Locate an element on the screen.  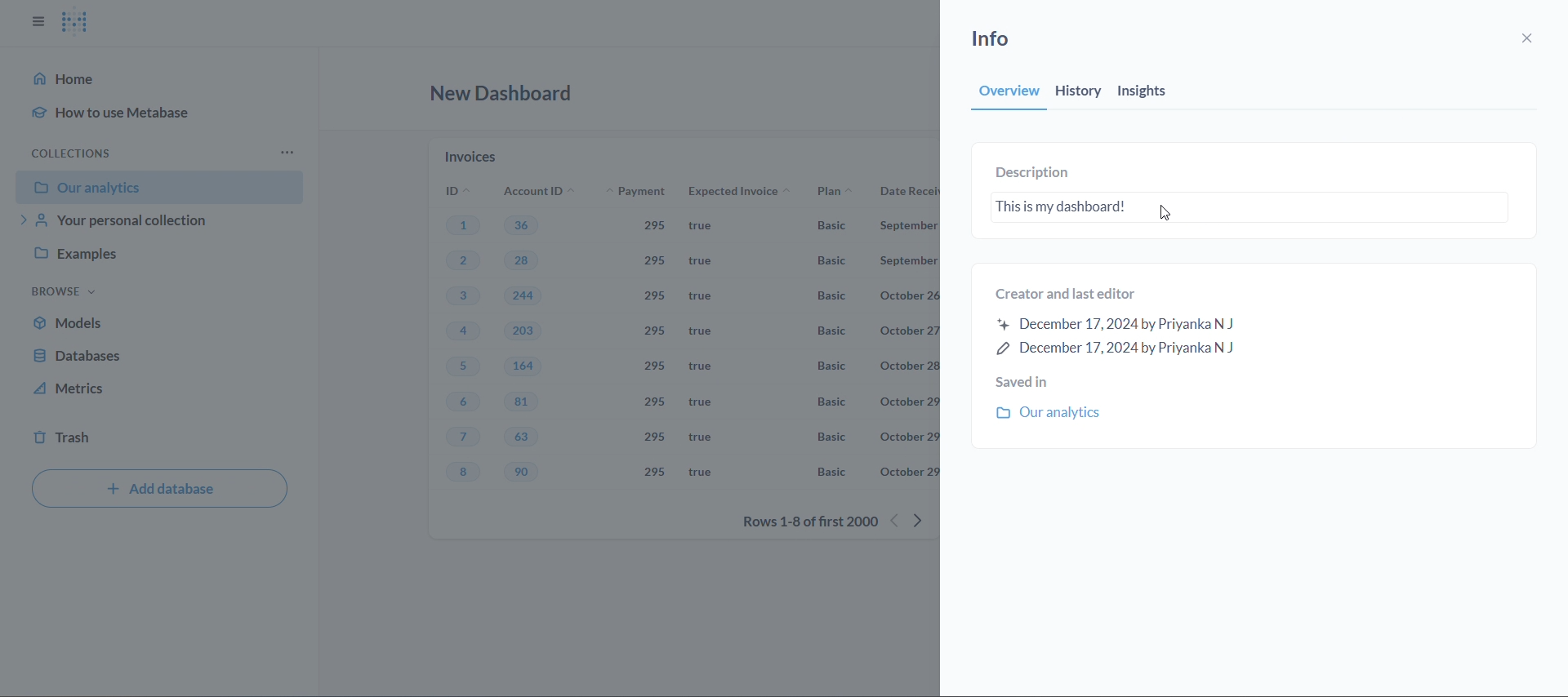
account ID's is located at coordinates (537, 191).